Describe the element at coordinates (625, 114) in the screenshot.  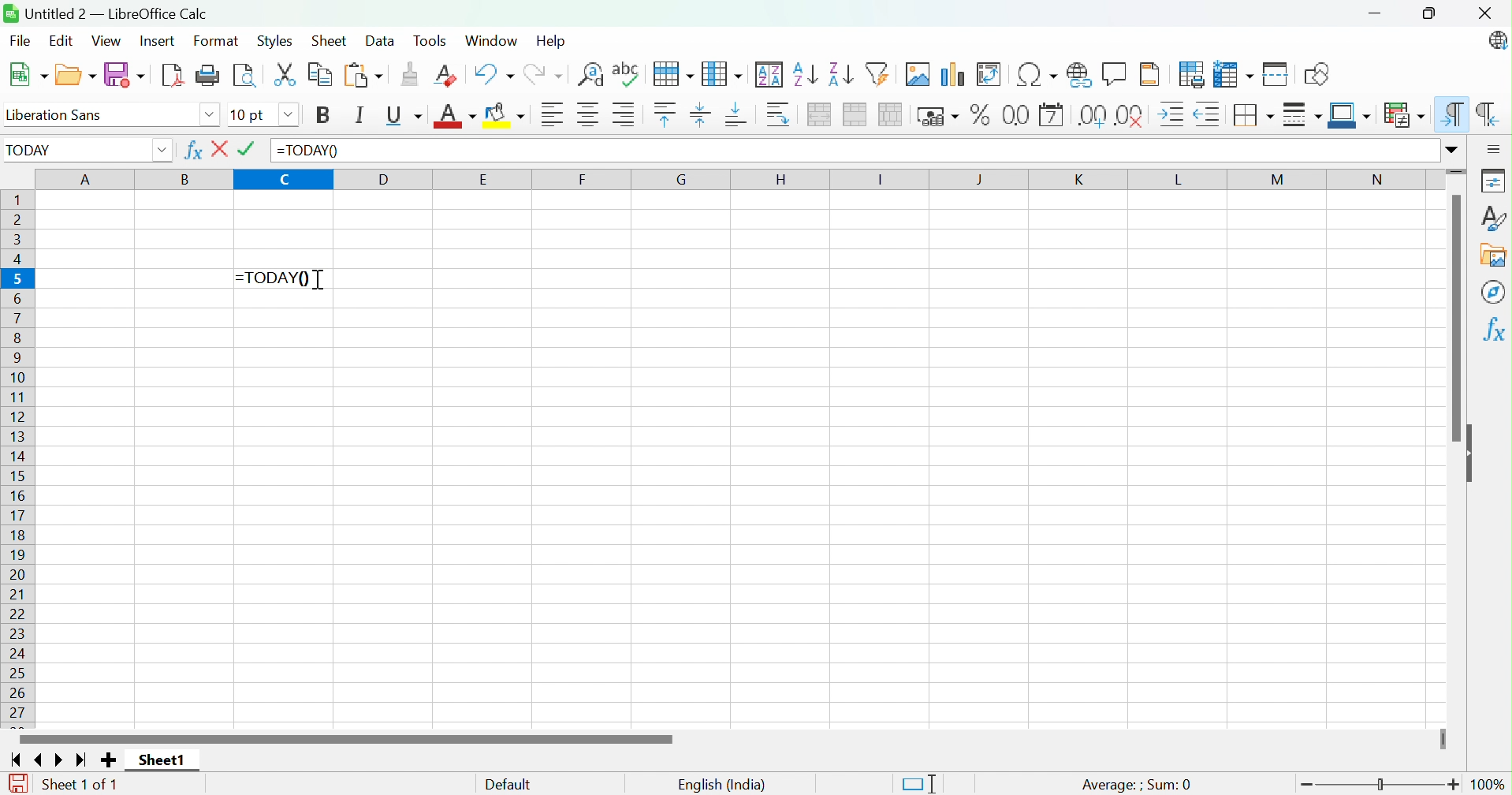
I see `Align right` at that location.